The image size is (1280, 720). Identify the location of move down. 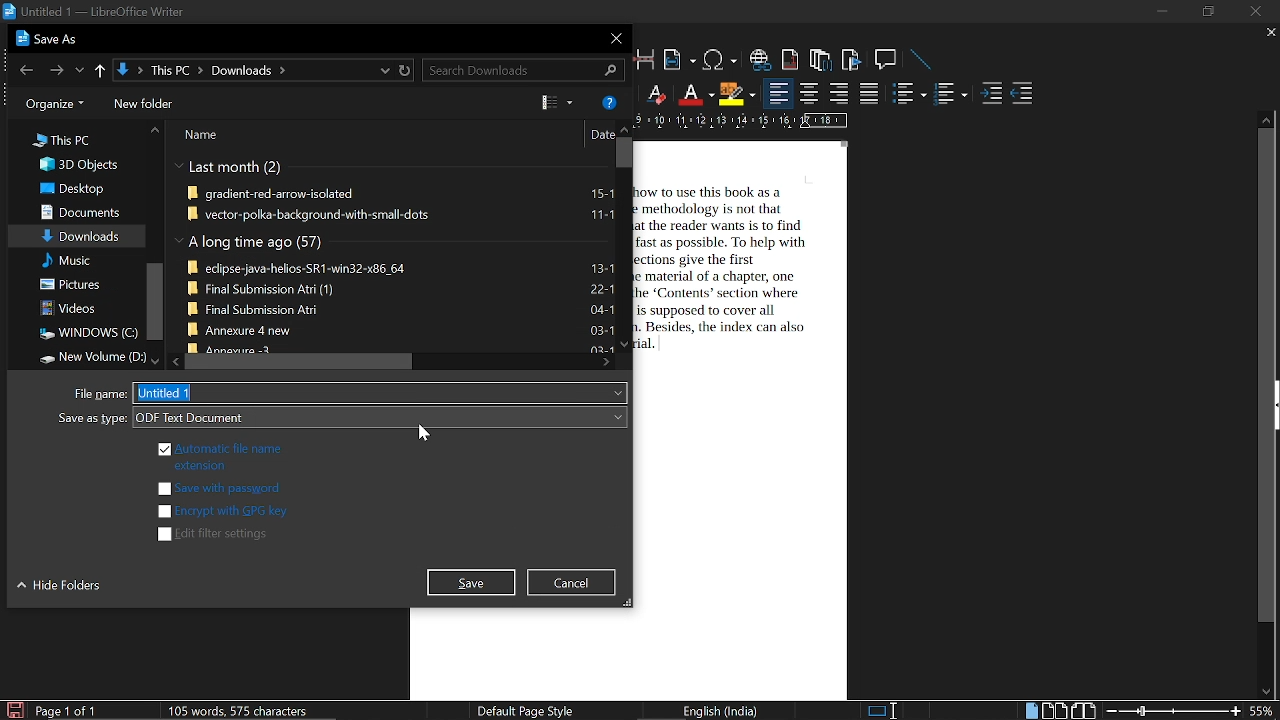
(150, 359).